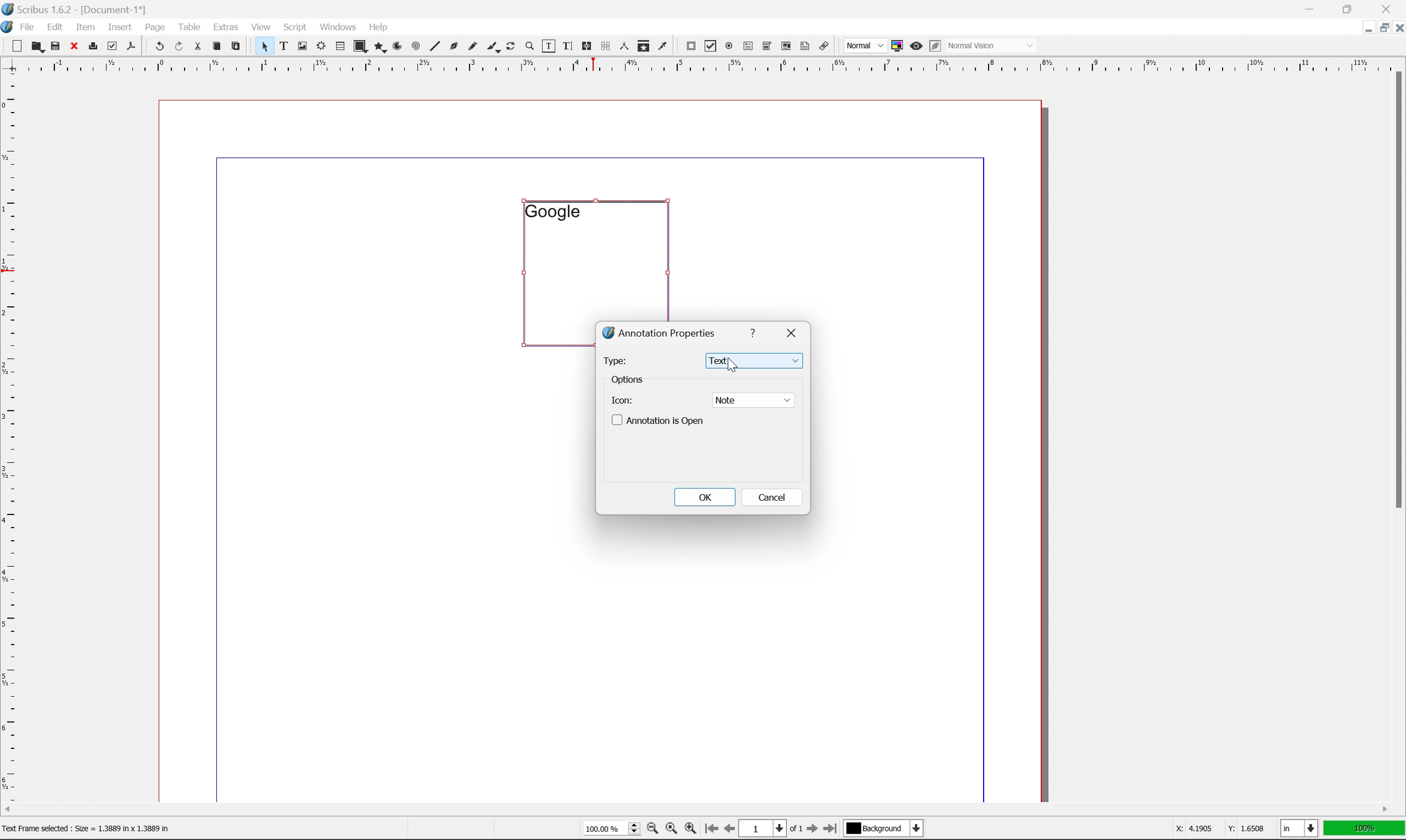 The height and width of the screenshot is (840, 1406). I want to click on pdf checkbox, so click(708, 47).